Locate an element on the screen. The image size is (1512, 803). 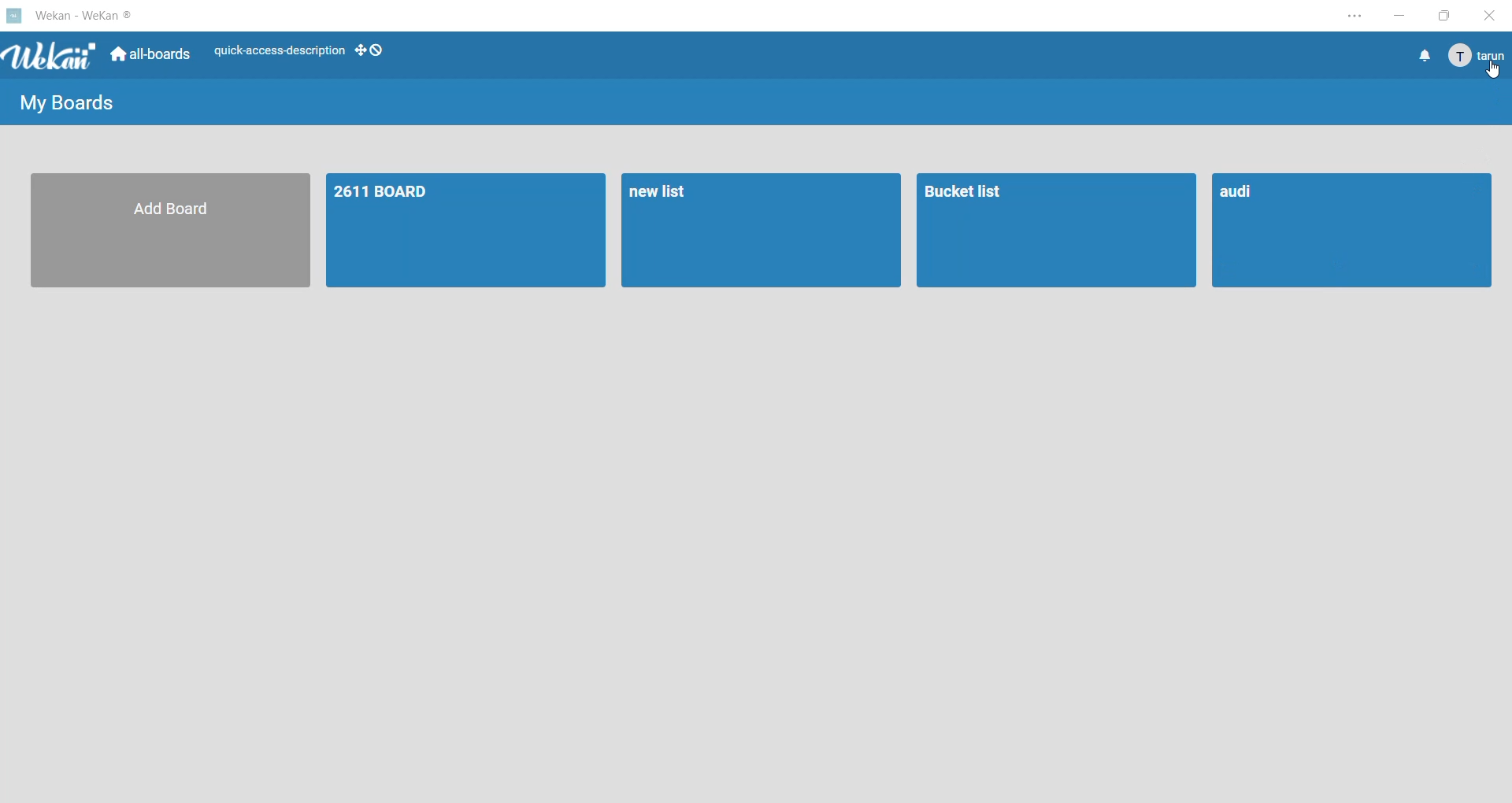
board 3-bucket list is located at coordinates (1057, 229).